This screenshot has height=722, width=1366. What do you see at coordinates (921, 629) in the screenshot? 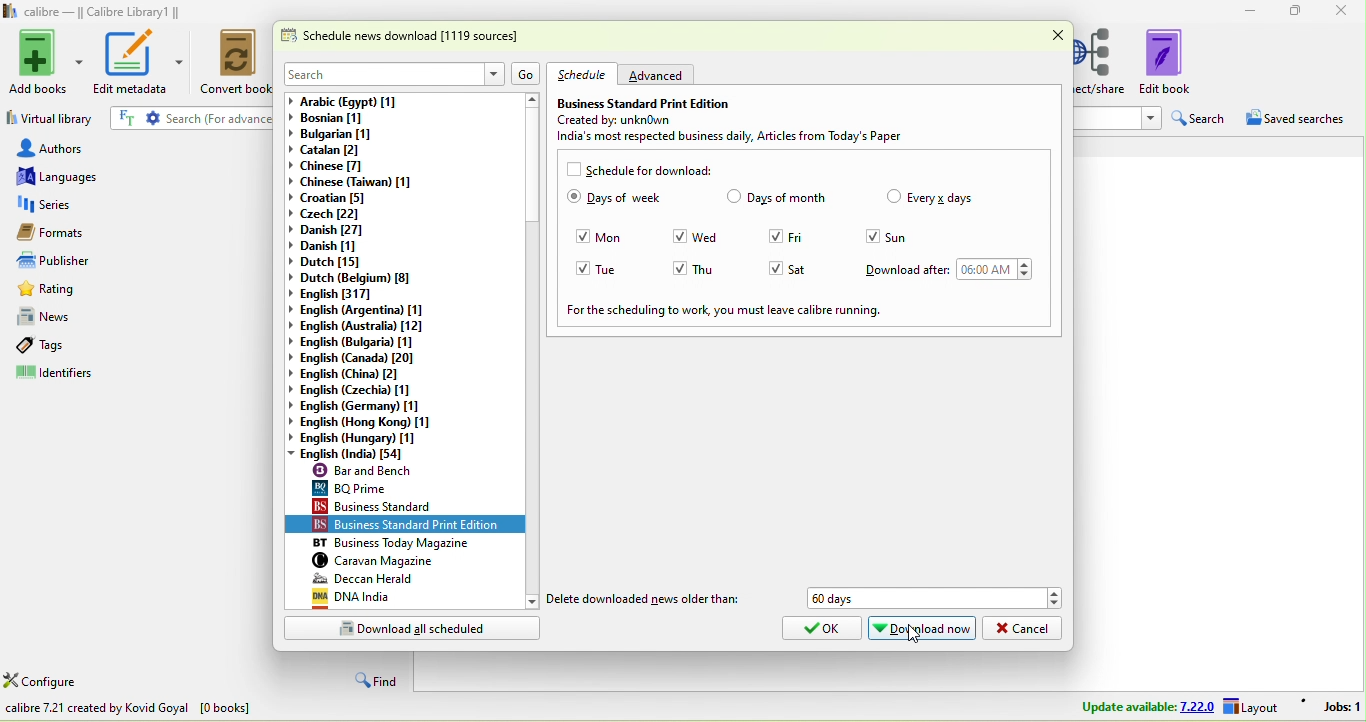
I see `download now` at bounding box center [921, 629].